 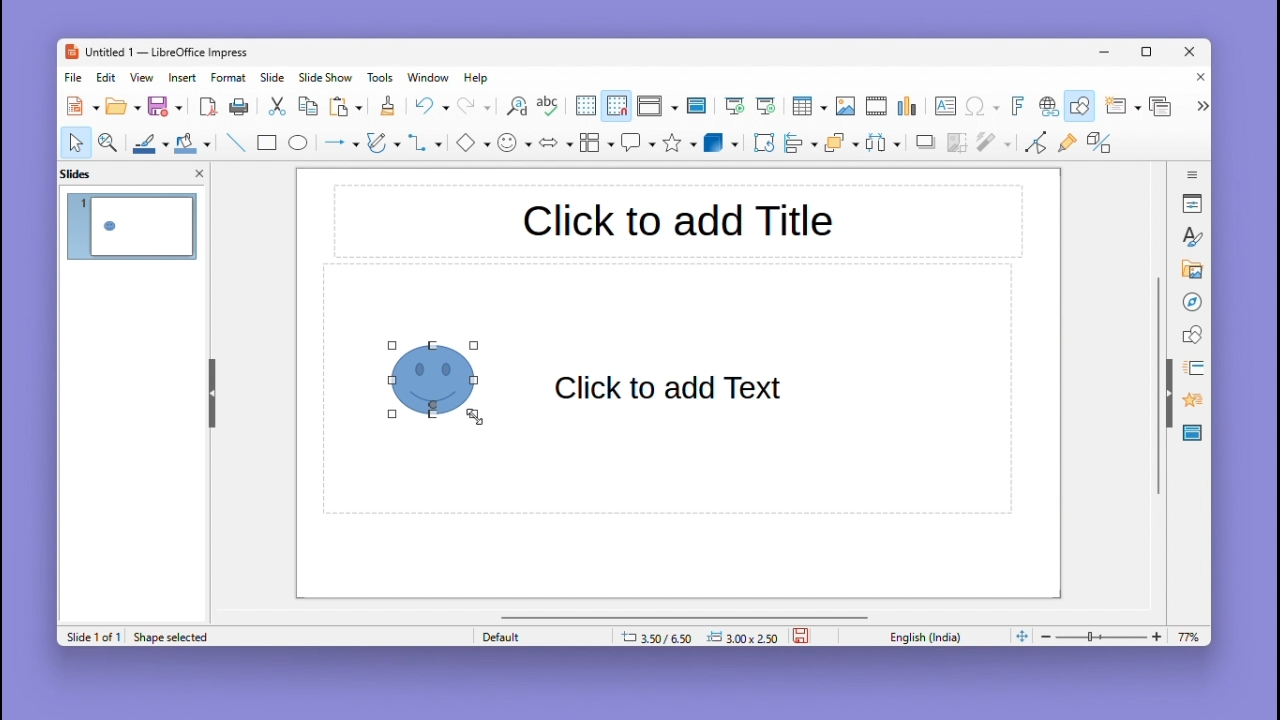 I want to click on Minimise, so click(x=1107, y=51).